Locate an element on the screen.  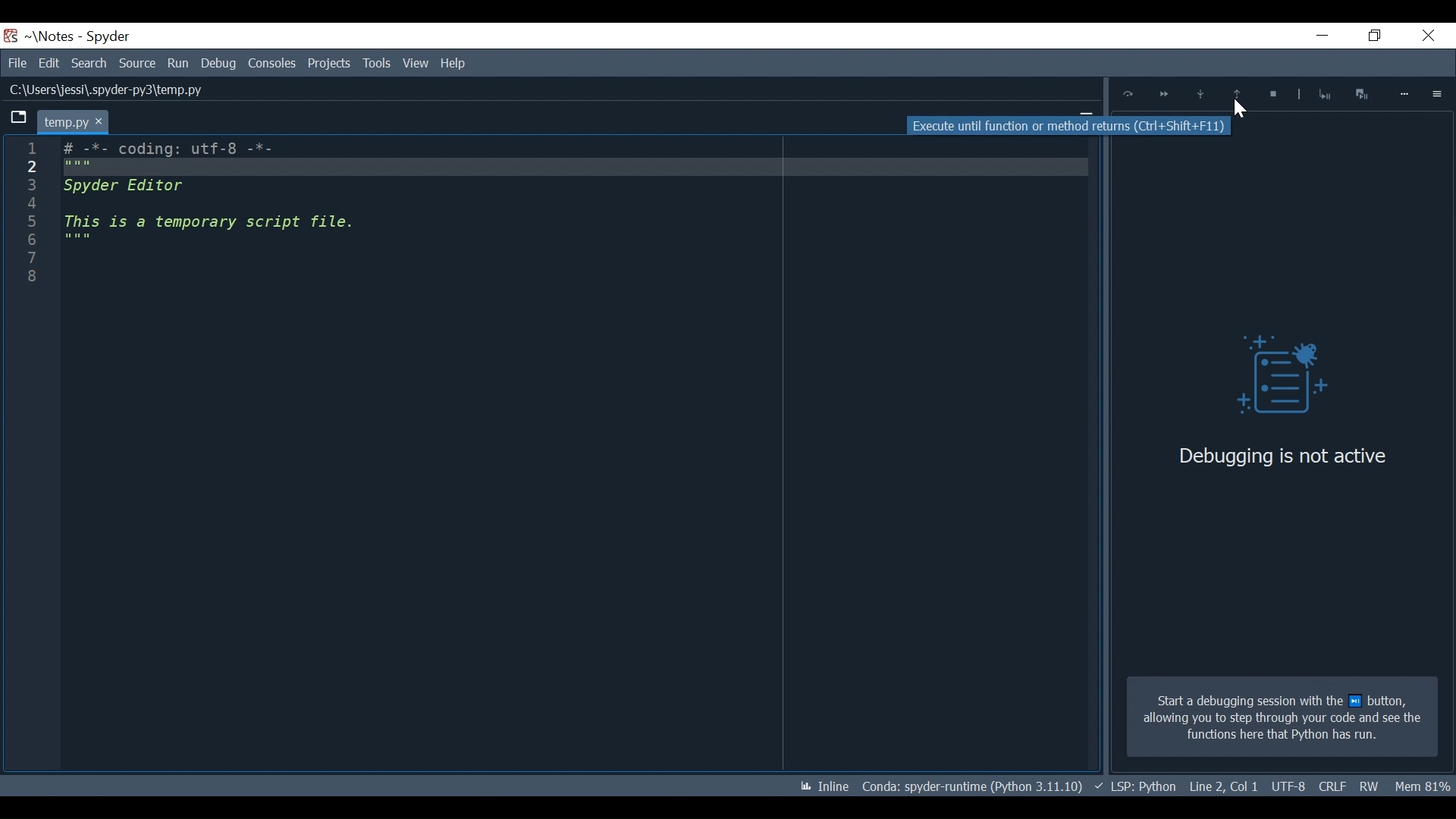
Debugging is not active is located at coordinates (1282, 456).